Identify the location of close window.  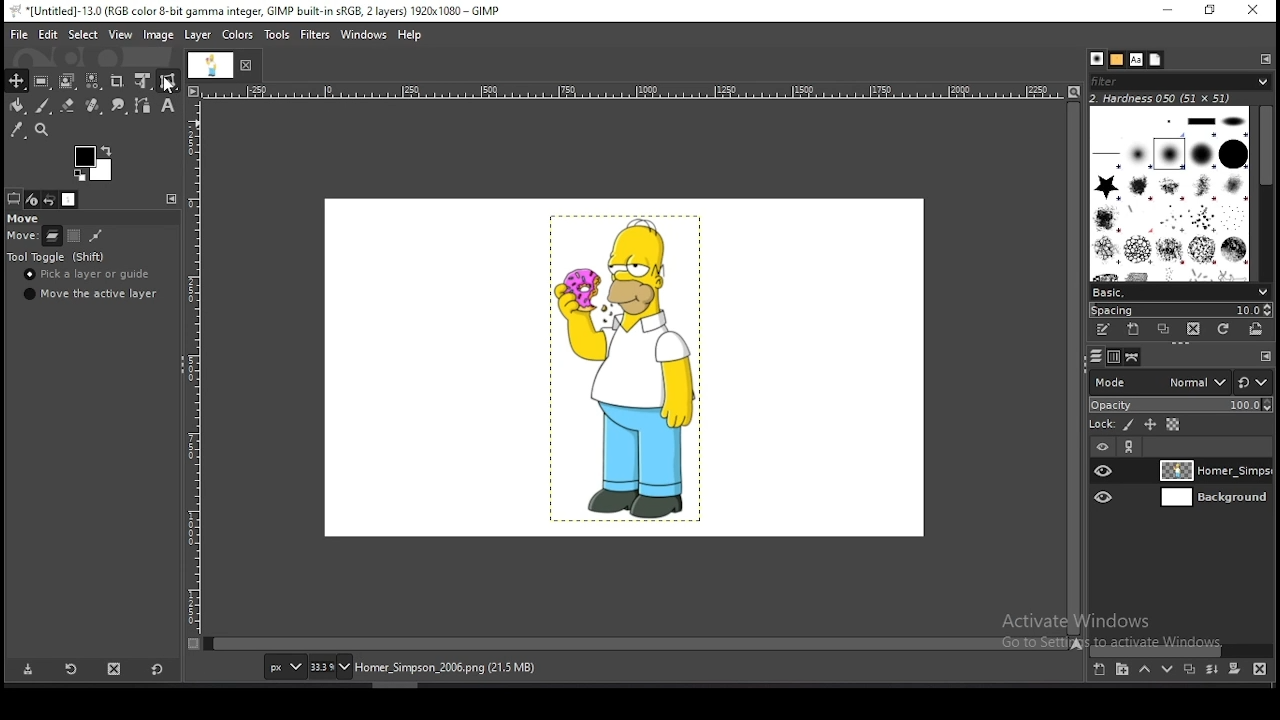
(1252, 12).